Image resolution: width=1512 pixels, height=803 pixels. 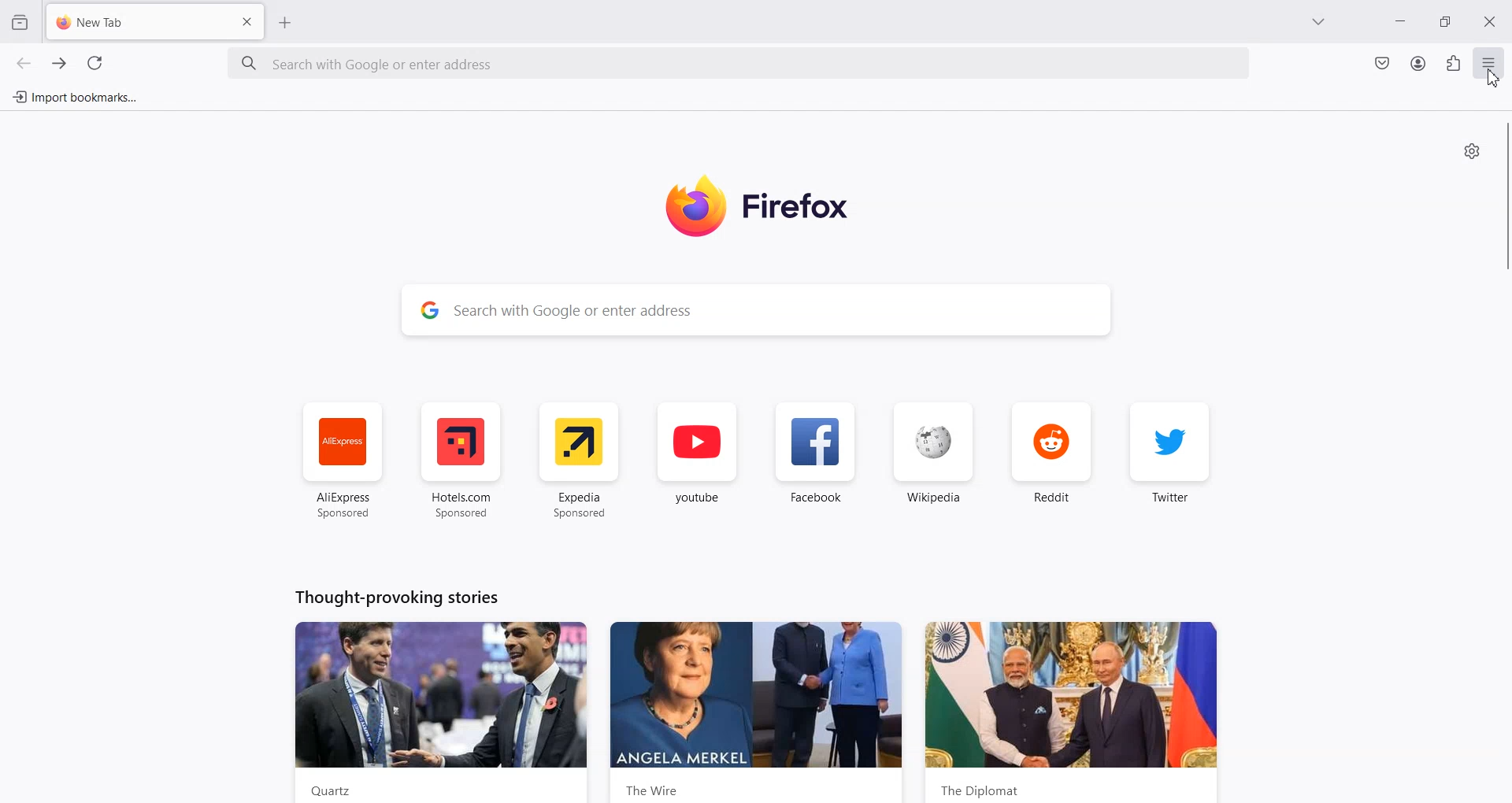 What do you see at coordinates (248, 21) in the screenshot?
I see `Close Tab` at bounding box center [248, 21].